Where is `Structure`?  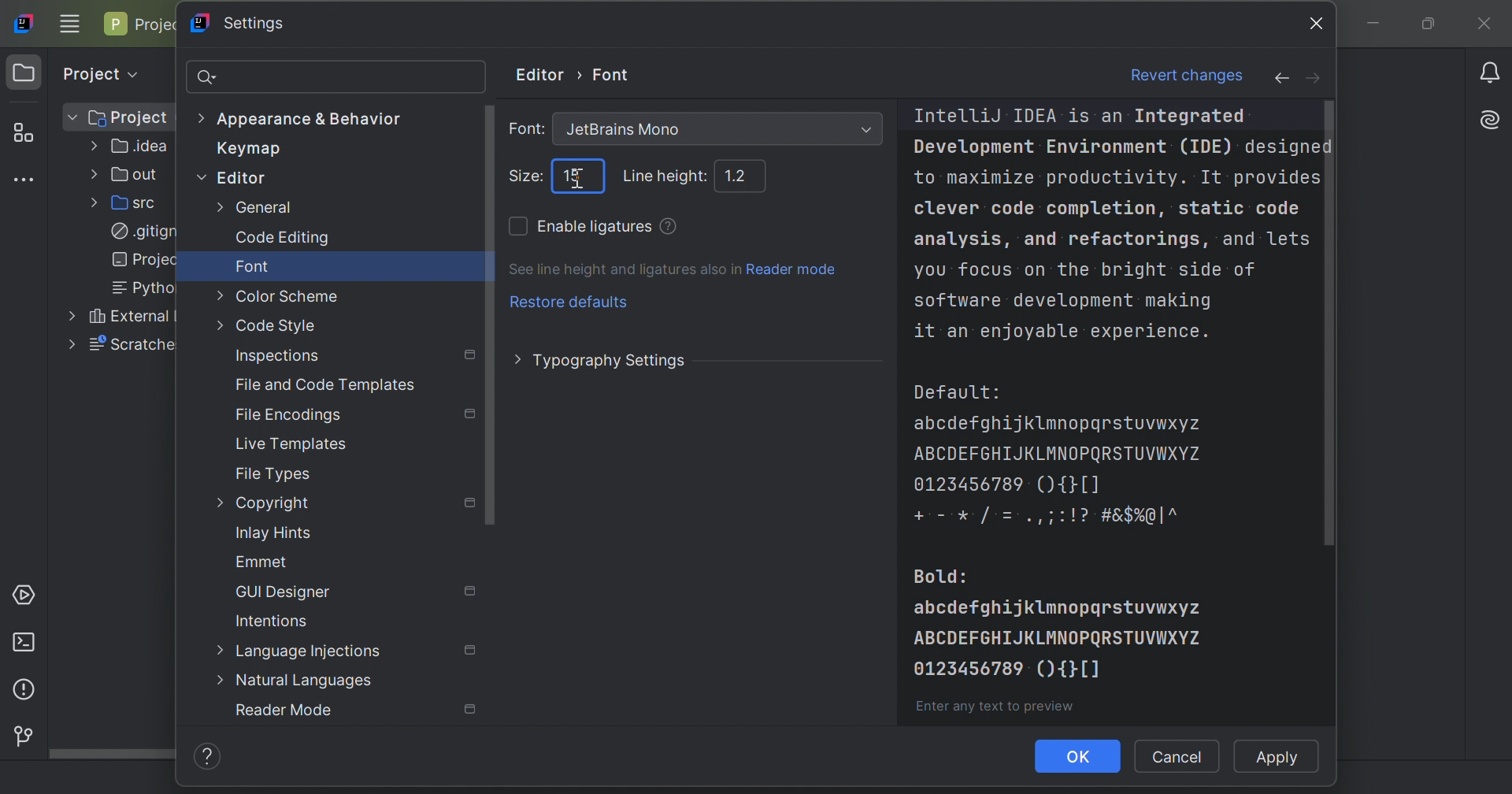
Structure is located at coordinates (24, 134).